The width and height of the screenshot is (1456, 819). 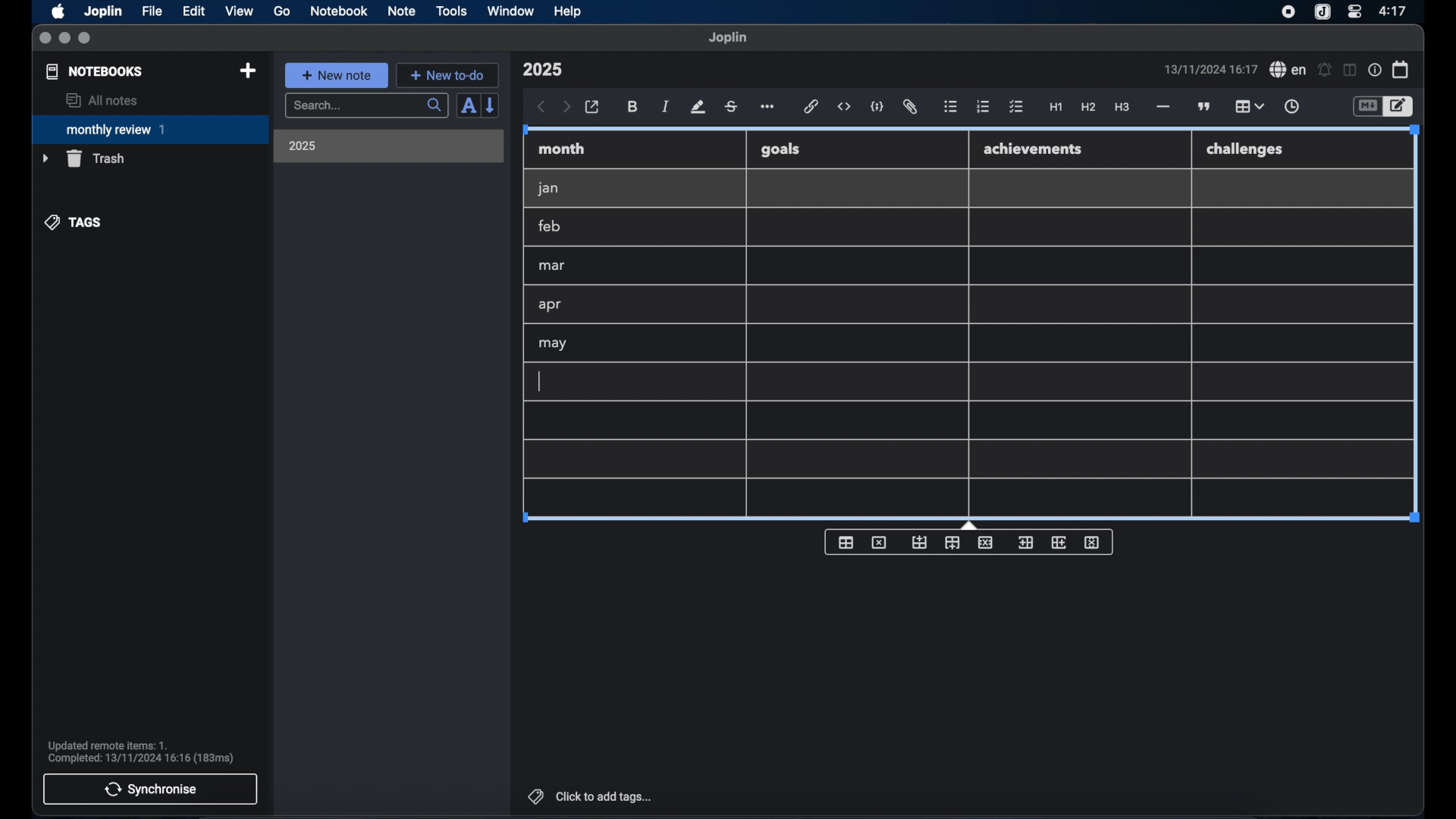 What do you see at coordinates (239, 11) in the screenshot?
I see `view` at bounding box center [239, 11].